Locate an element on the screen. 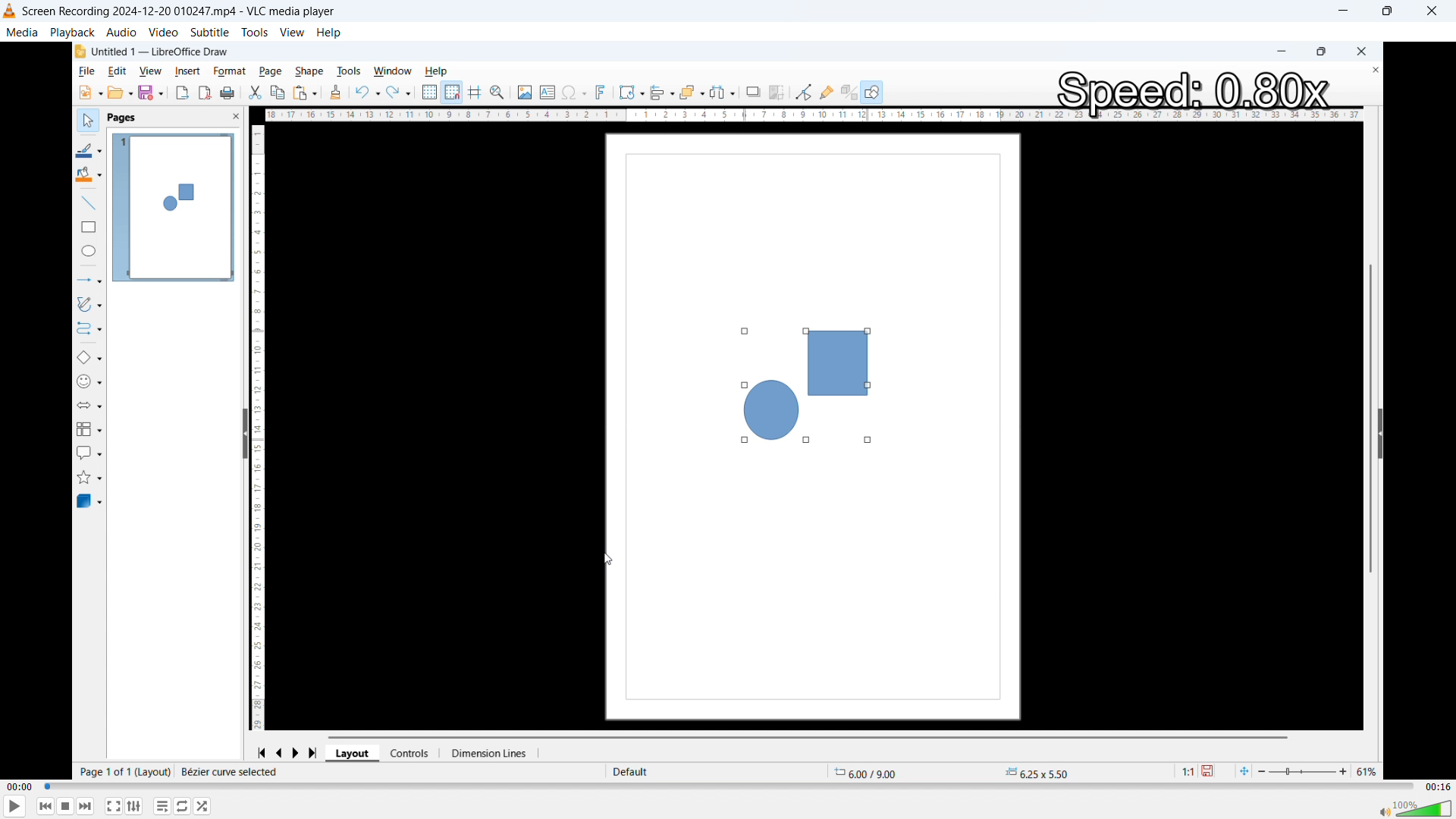 Image resolution: width=1456 pixels, height=819 pixels. Playback  is located at coordinates (72, 32).